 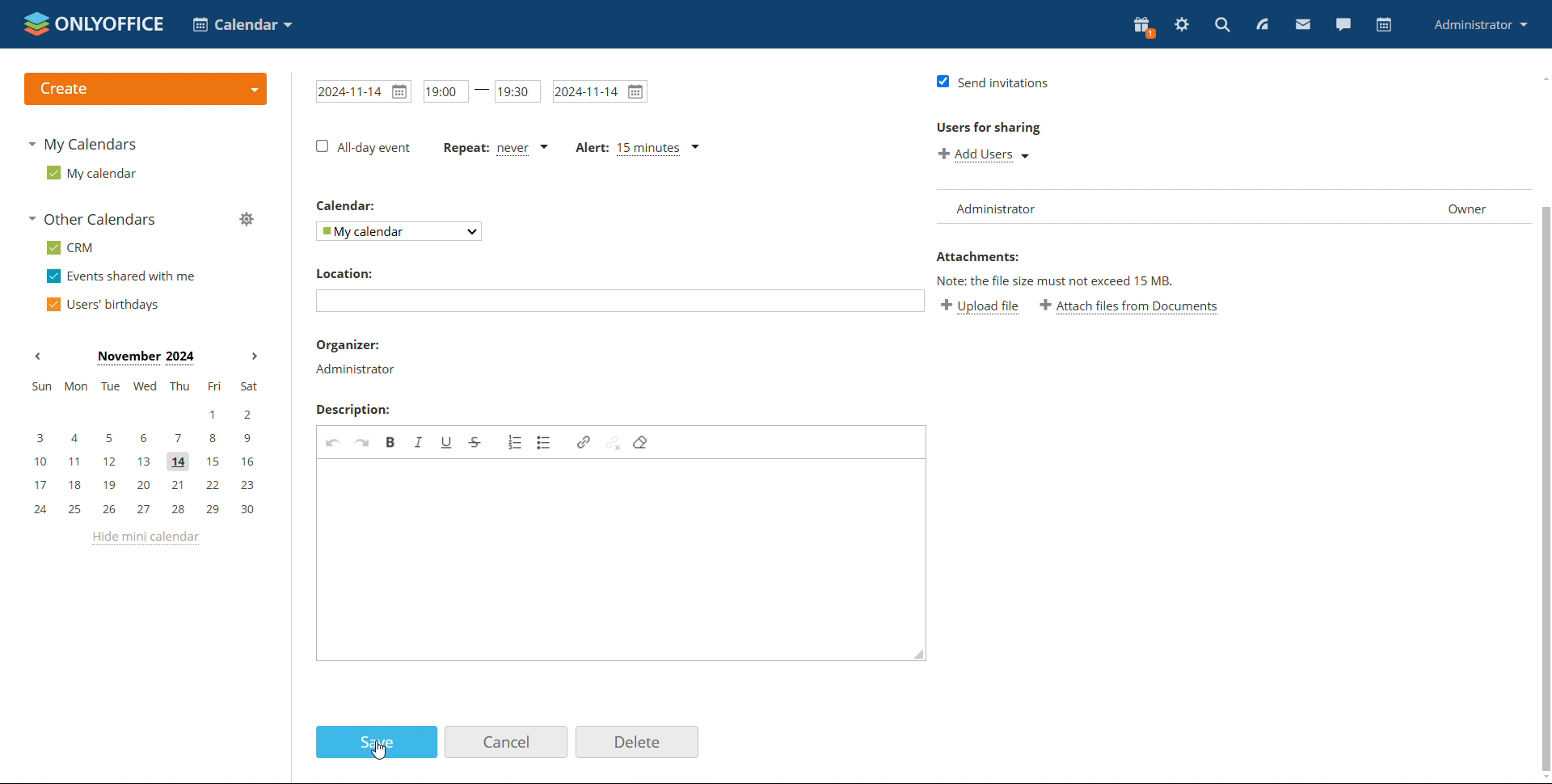 I want to click on underline, so click(x=445, y=443).